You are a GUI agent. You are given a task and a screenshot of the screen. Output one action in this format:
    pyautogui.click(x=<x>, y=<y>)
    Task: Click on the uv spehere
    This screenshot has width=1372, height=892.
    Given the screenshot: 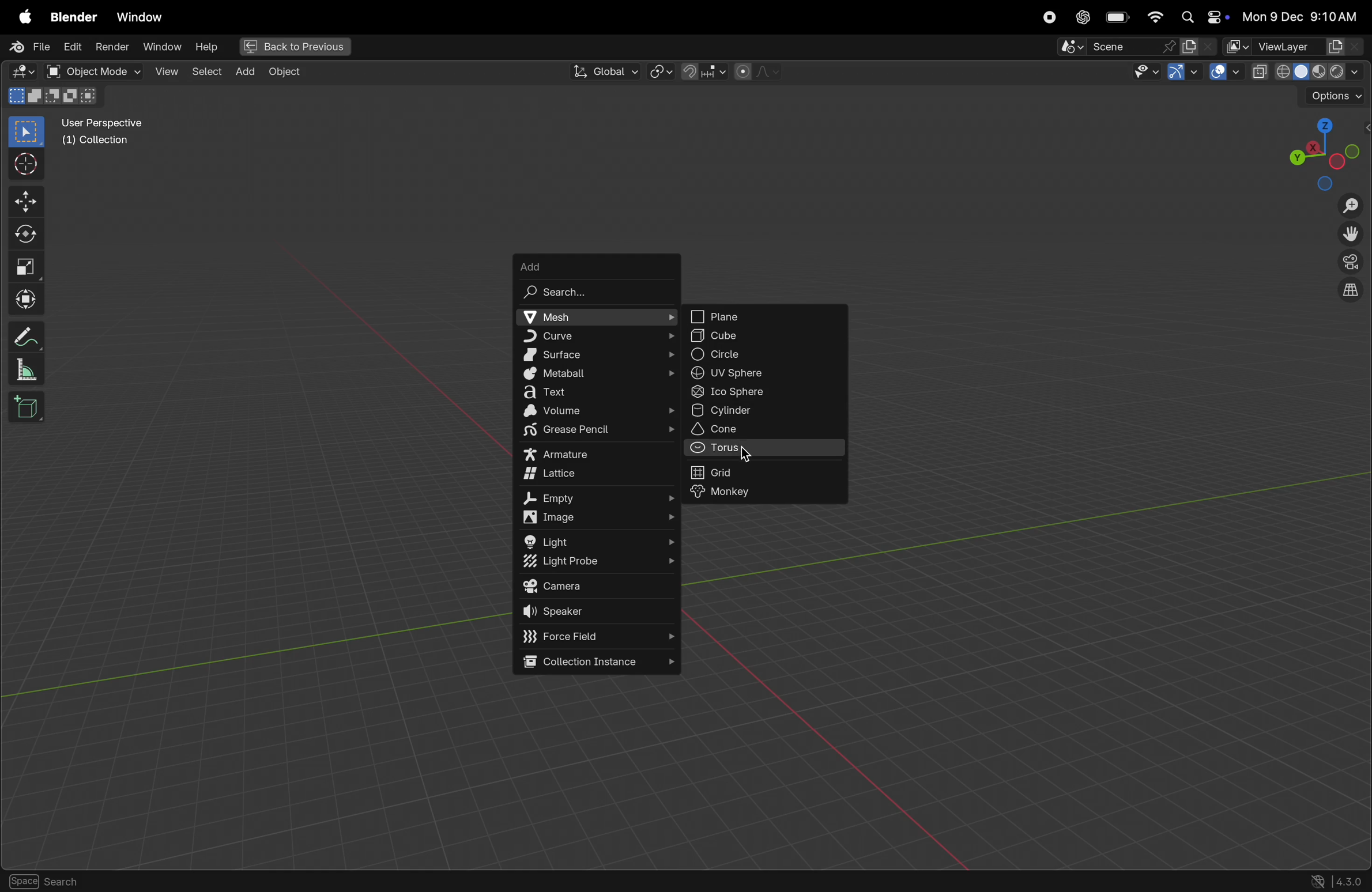 What is the action you would take?
    pyautogui.click(x=764, y=374)
    